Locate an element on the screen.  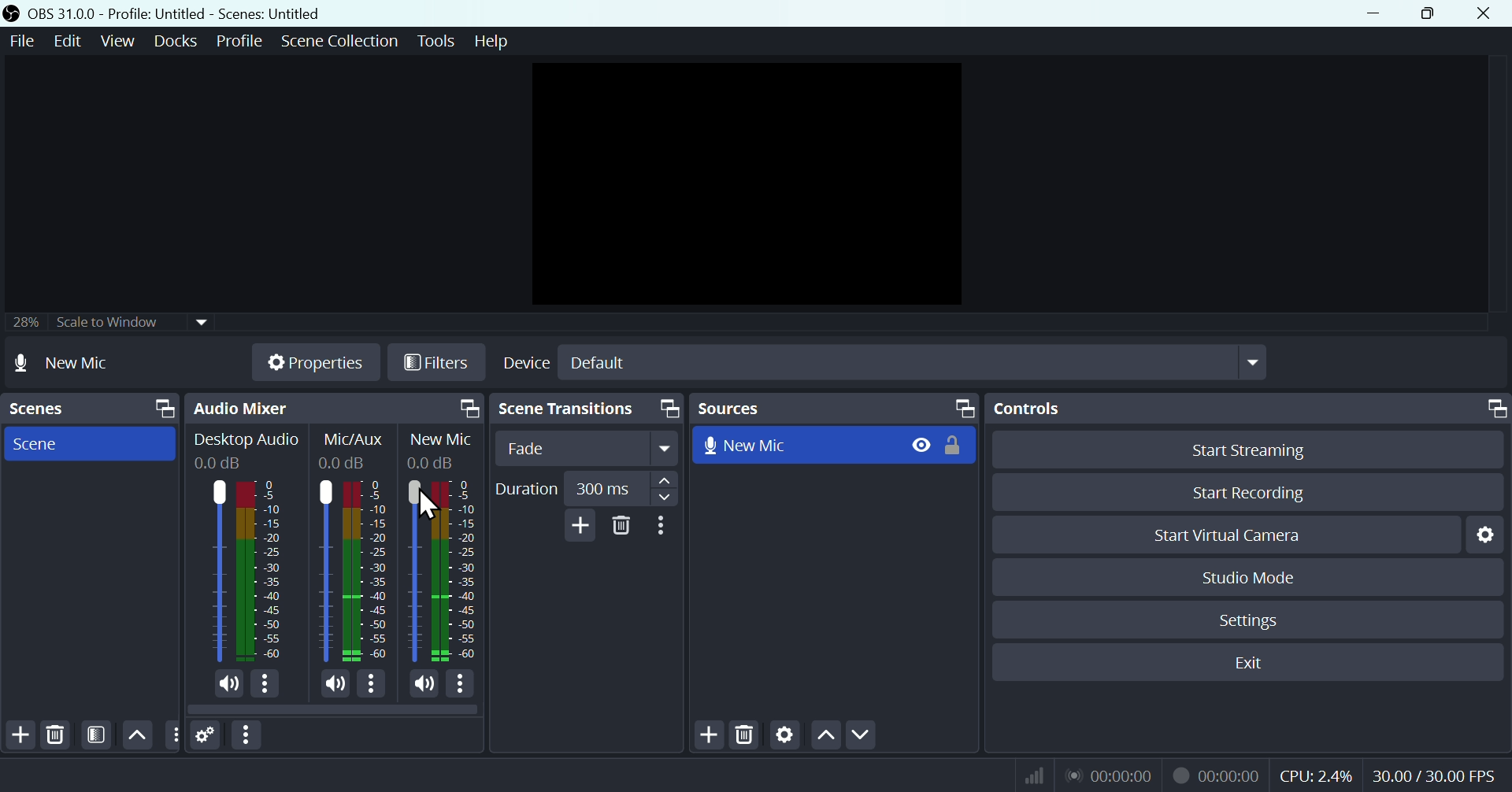
 is located at coordinates (357, 439).